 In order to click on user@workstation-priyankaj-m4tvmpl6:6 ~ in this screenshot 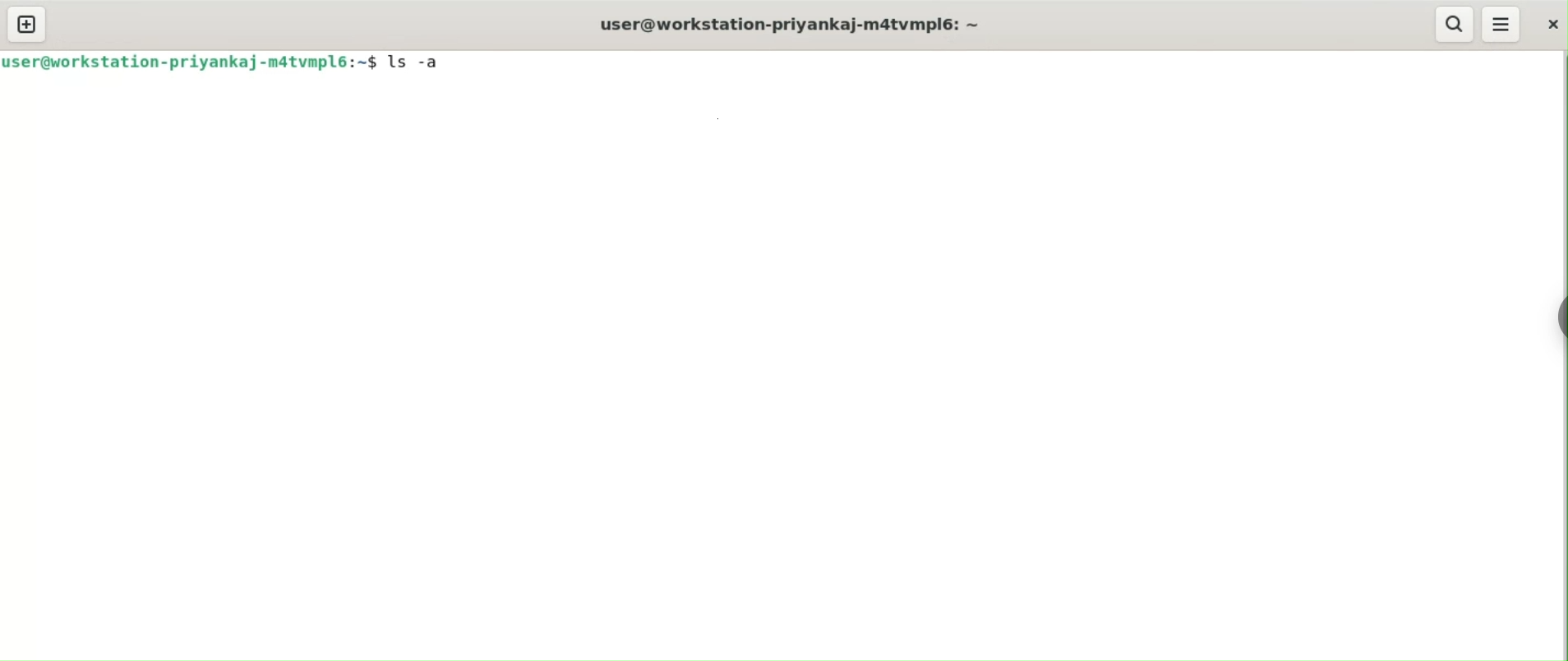, I will do `click(805, 23)`.